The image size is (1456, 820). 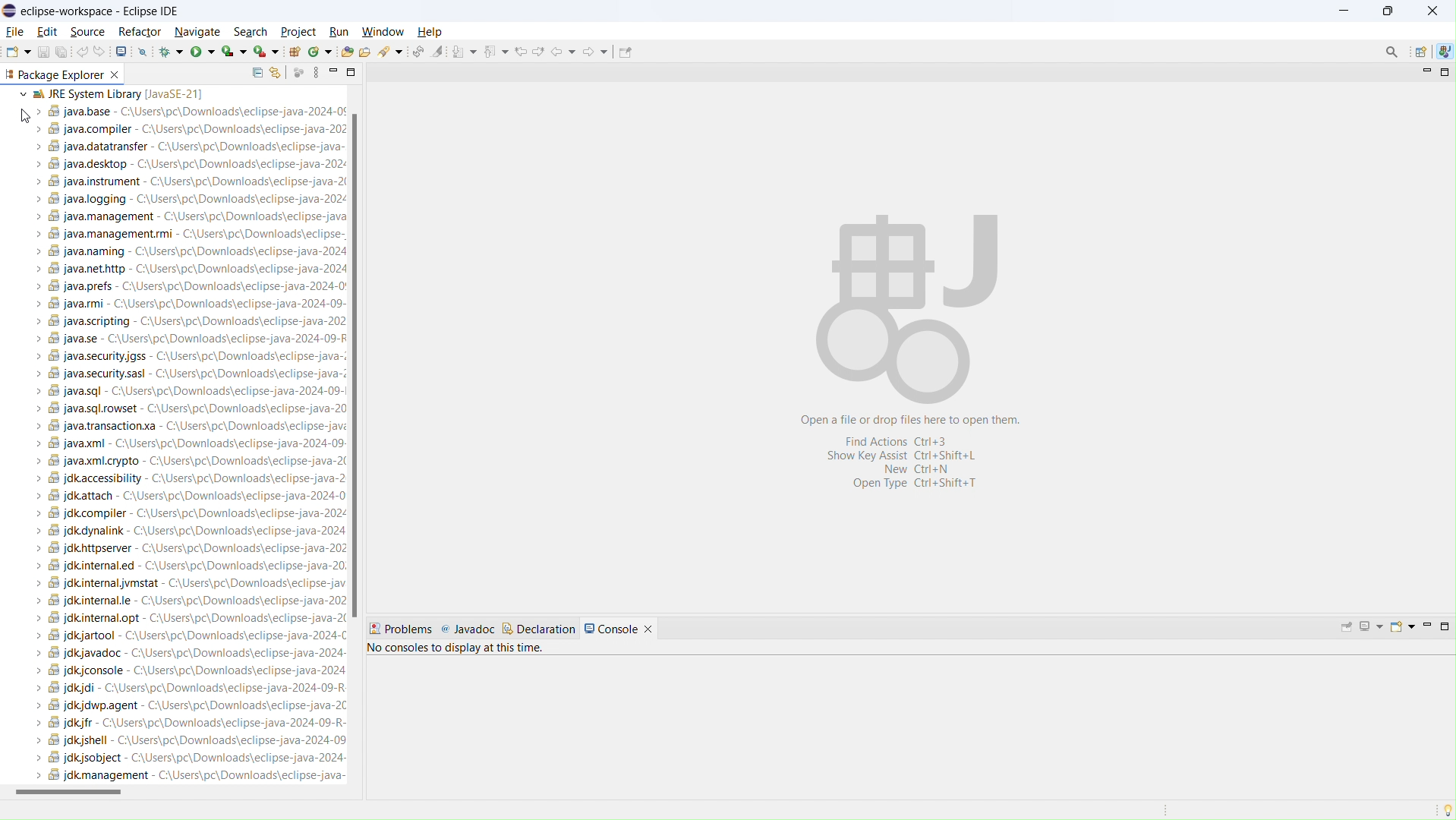 What do you see at coordinates (519, 52) in the screenshot?
I see `previous edit location` at bounding box center [519, 52].